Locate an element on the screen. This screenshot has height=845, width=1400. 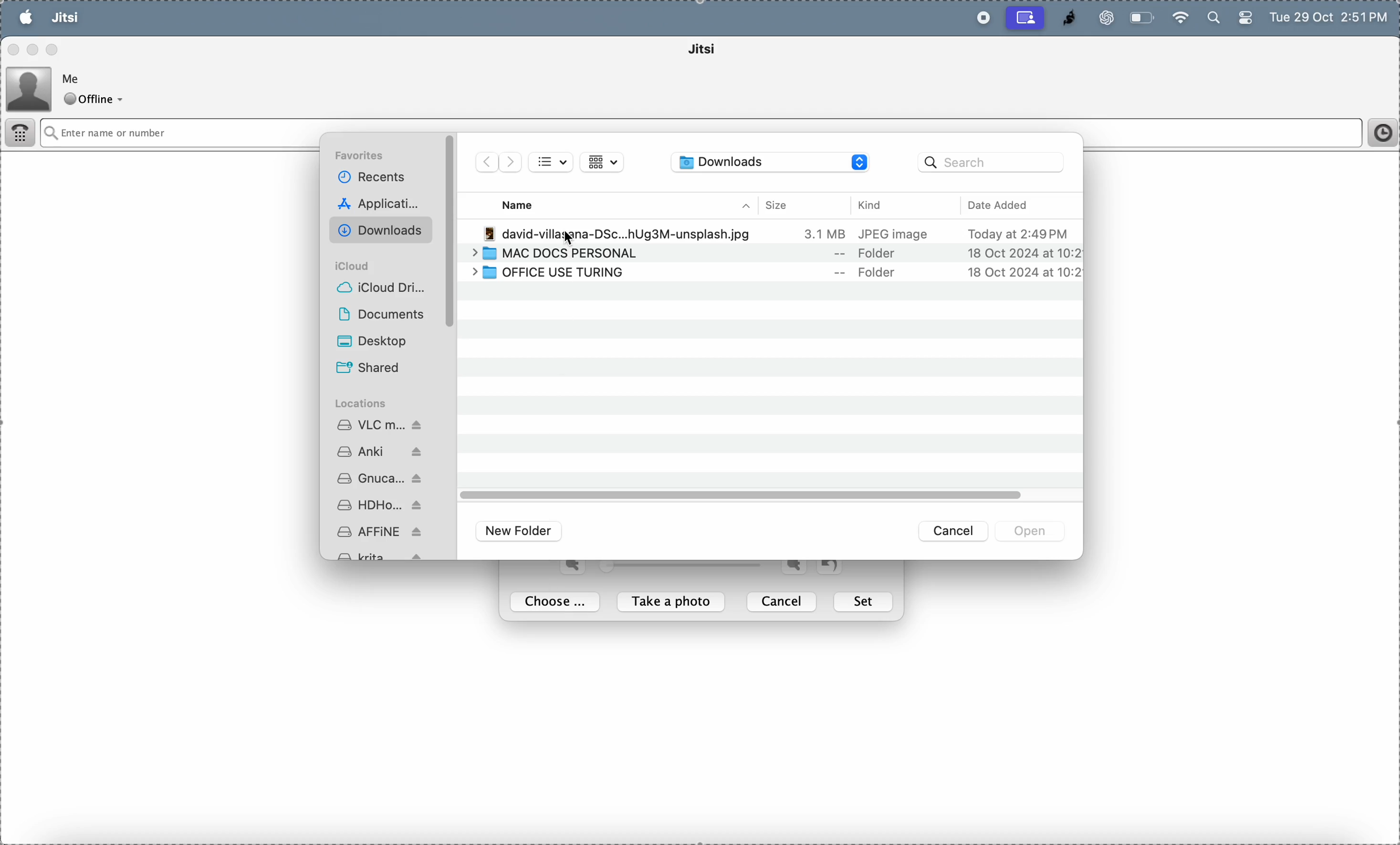
close window is located at coordinates (14, 51).